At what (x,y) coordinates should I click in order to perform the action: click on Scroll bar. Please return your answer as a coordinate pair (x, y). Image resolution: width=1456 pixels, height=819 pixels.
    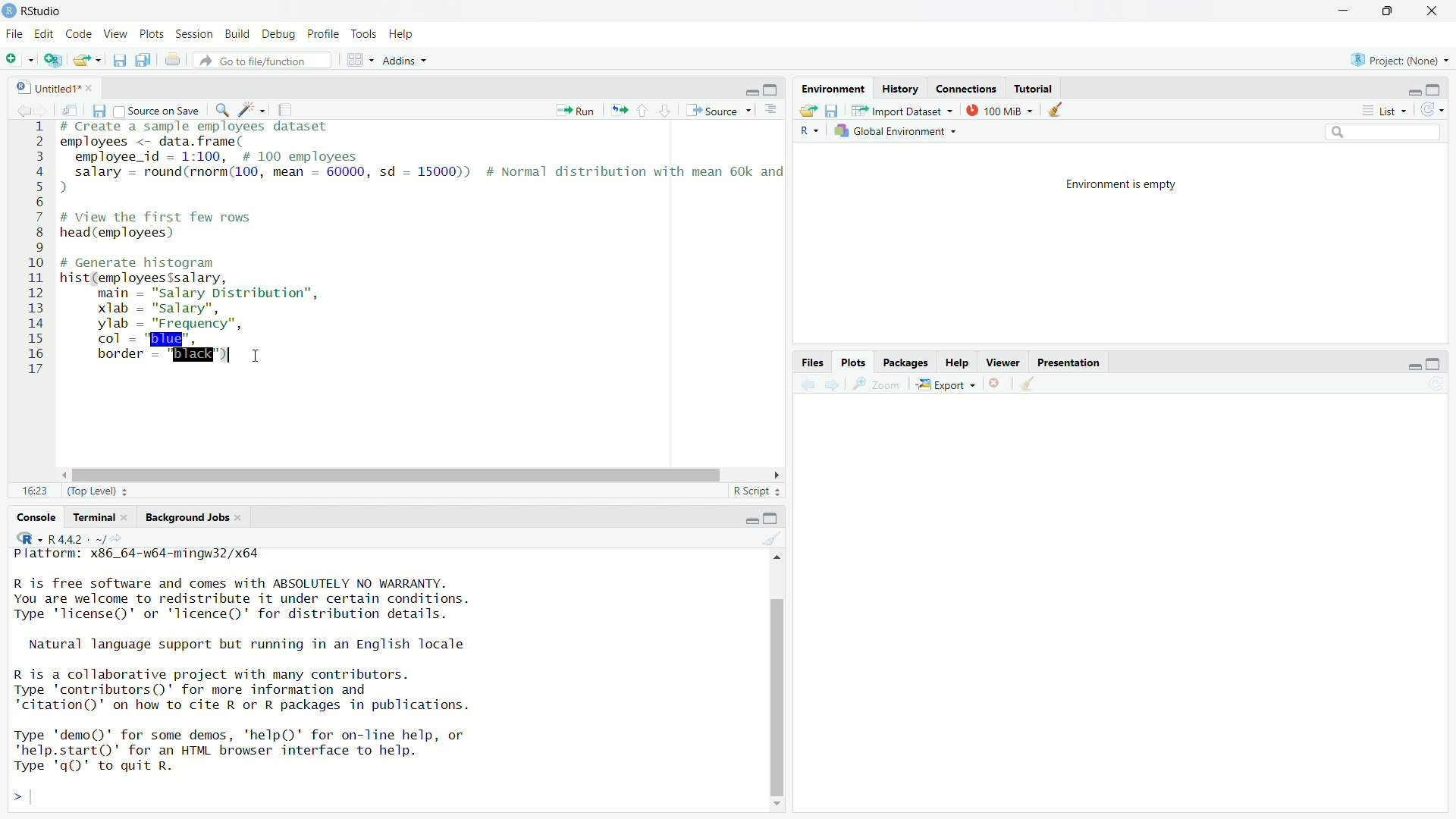
    Looking at the image, I should click on (778, 680).